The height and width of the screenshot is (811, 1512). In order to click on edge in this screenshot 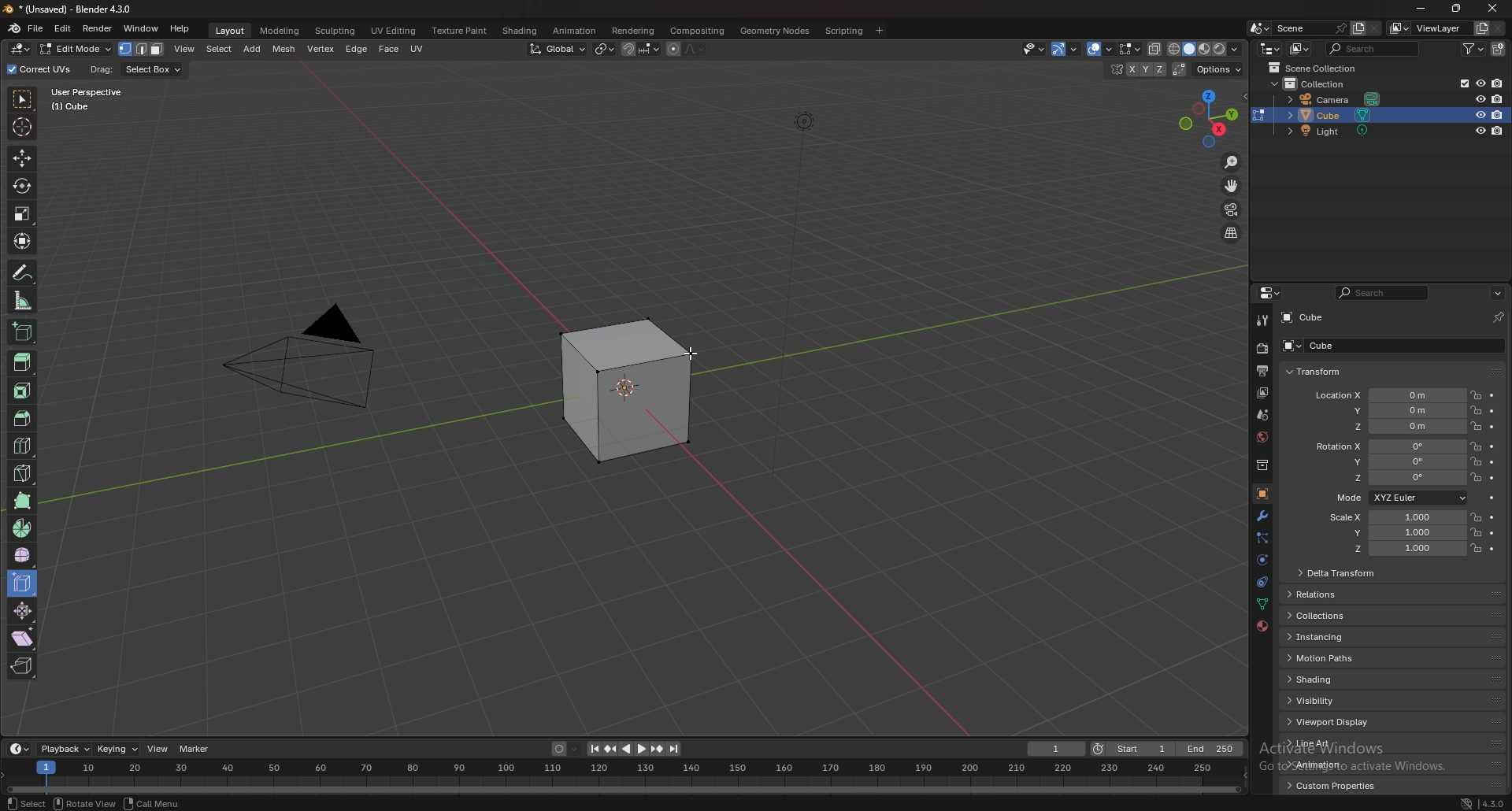, I will do `click(358, 50)`.